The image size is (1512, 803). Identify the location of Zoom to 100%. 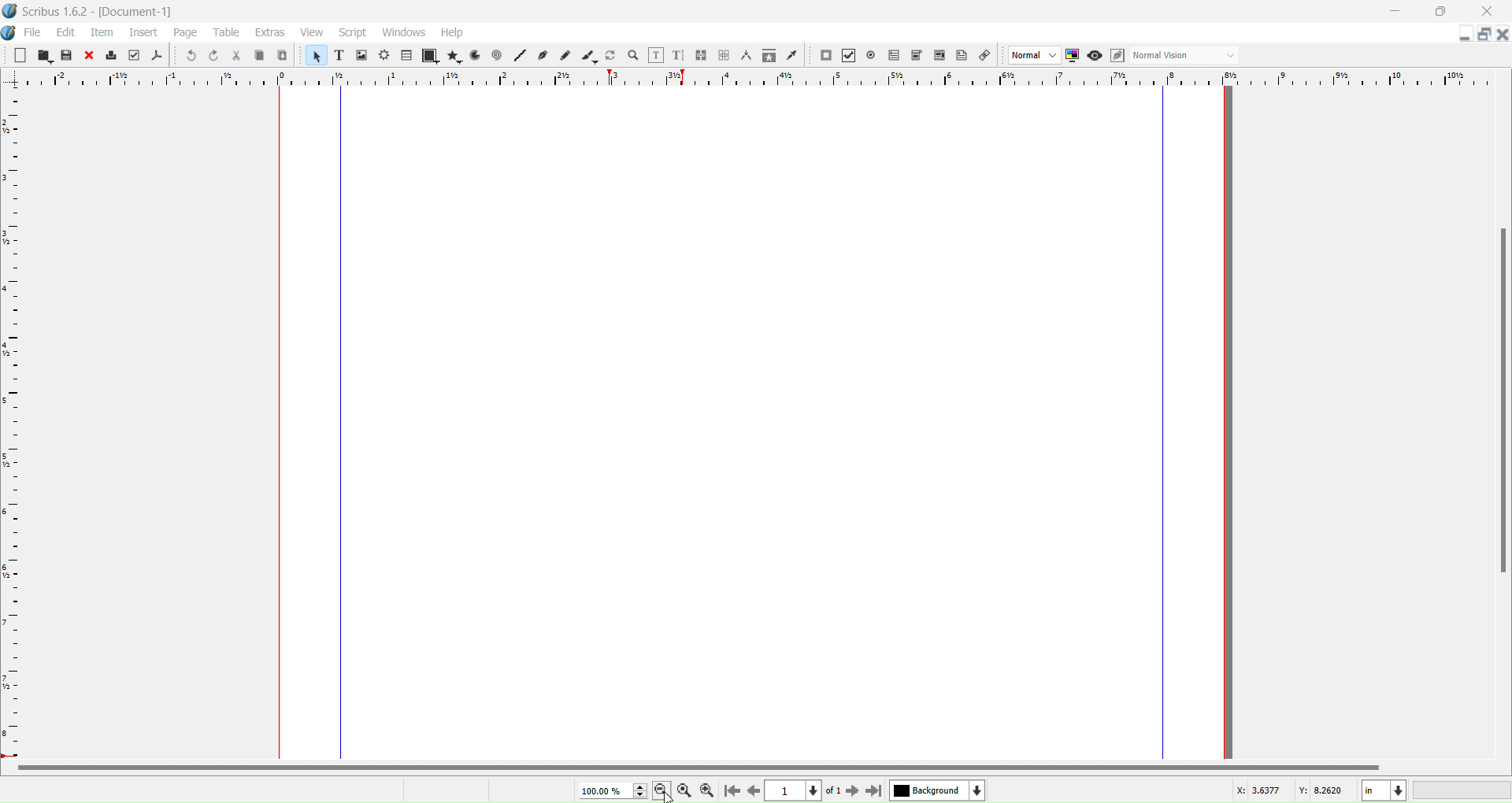
(685, 791).